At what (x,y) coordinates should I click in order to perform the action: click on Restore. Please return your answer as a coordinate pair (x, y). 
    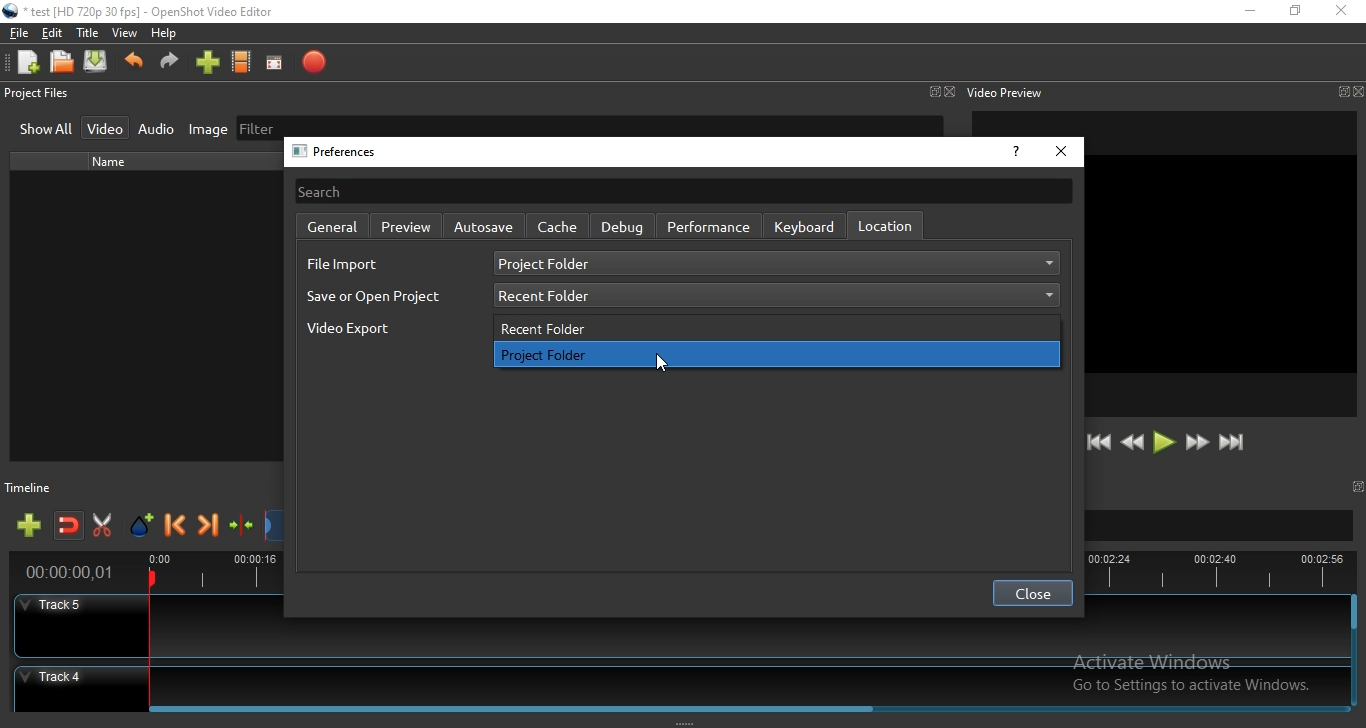
    Looking at the image, I should click on (1295, 11).